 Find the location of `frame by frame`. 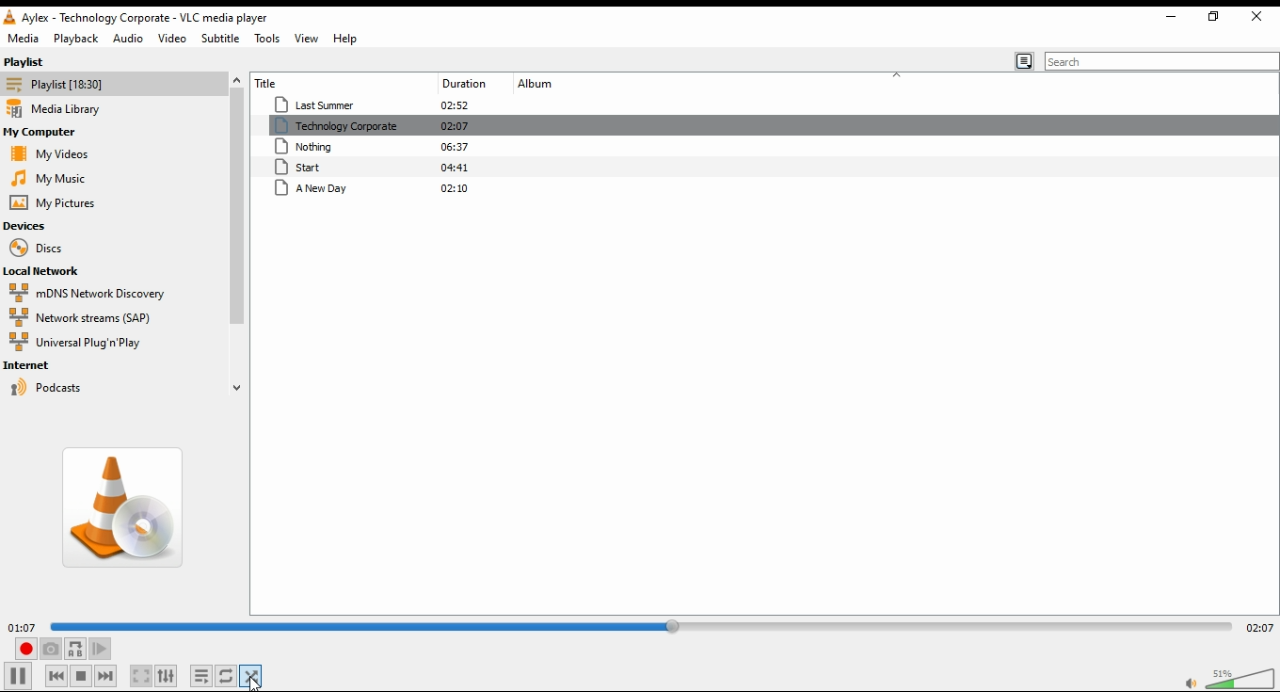

frame by frame is located at coordinates (103, 649).